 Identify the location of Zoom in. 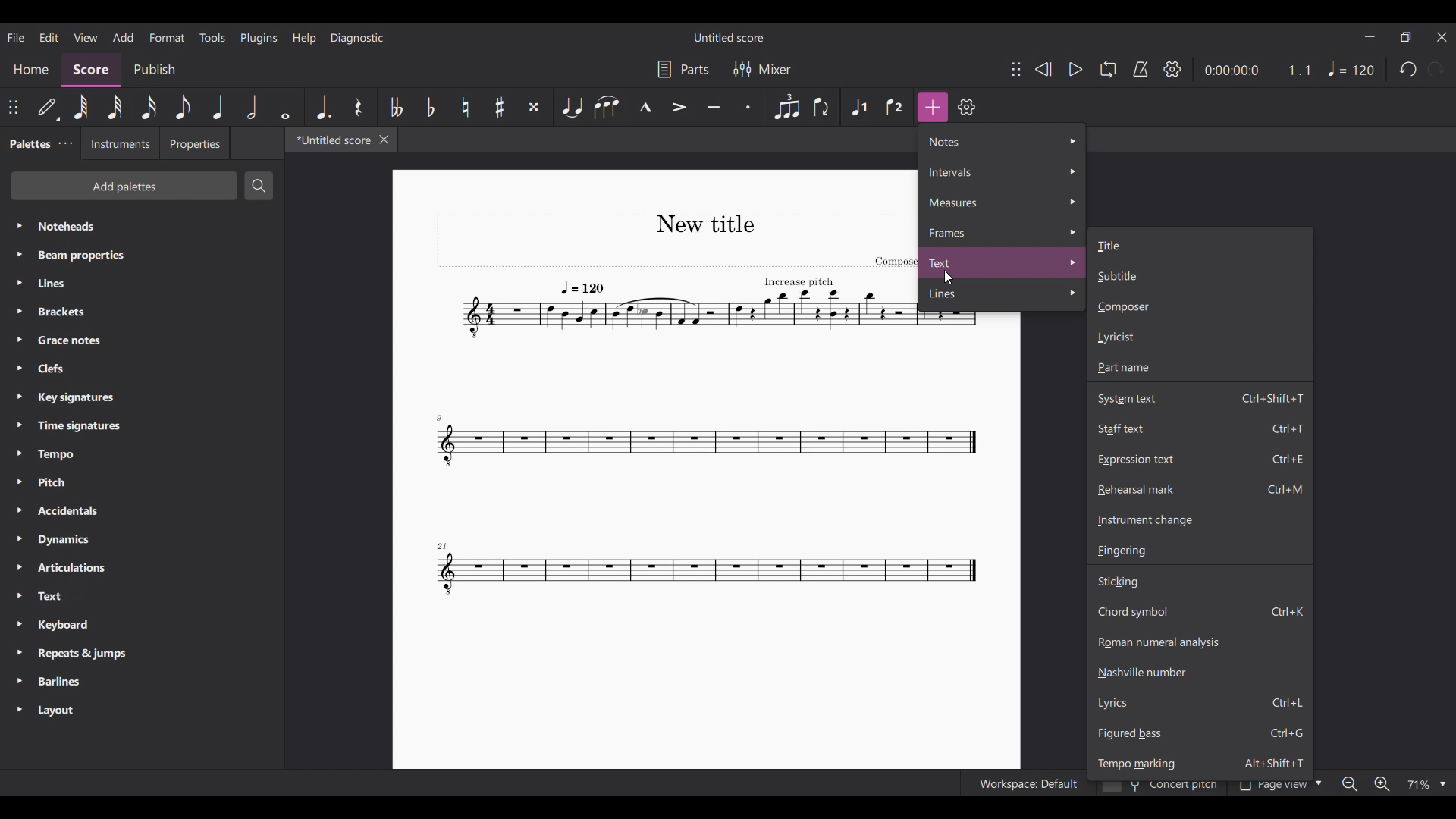
(1382, 783).